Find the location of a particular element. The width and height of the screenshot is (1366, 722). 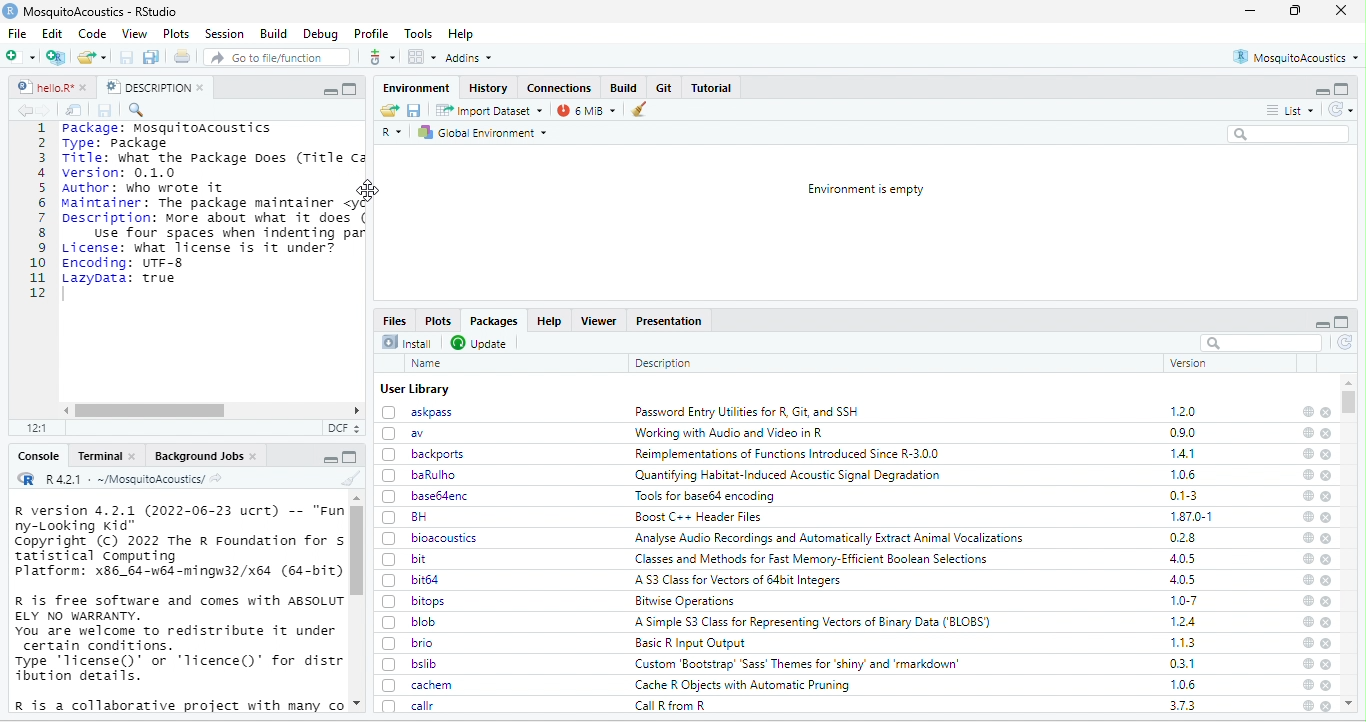

A Simple S3 Class for Representing Vectors of Binary Data (‘BLOBS’) is located at coordinates (809, 622).